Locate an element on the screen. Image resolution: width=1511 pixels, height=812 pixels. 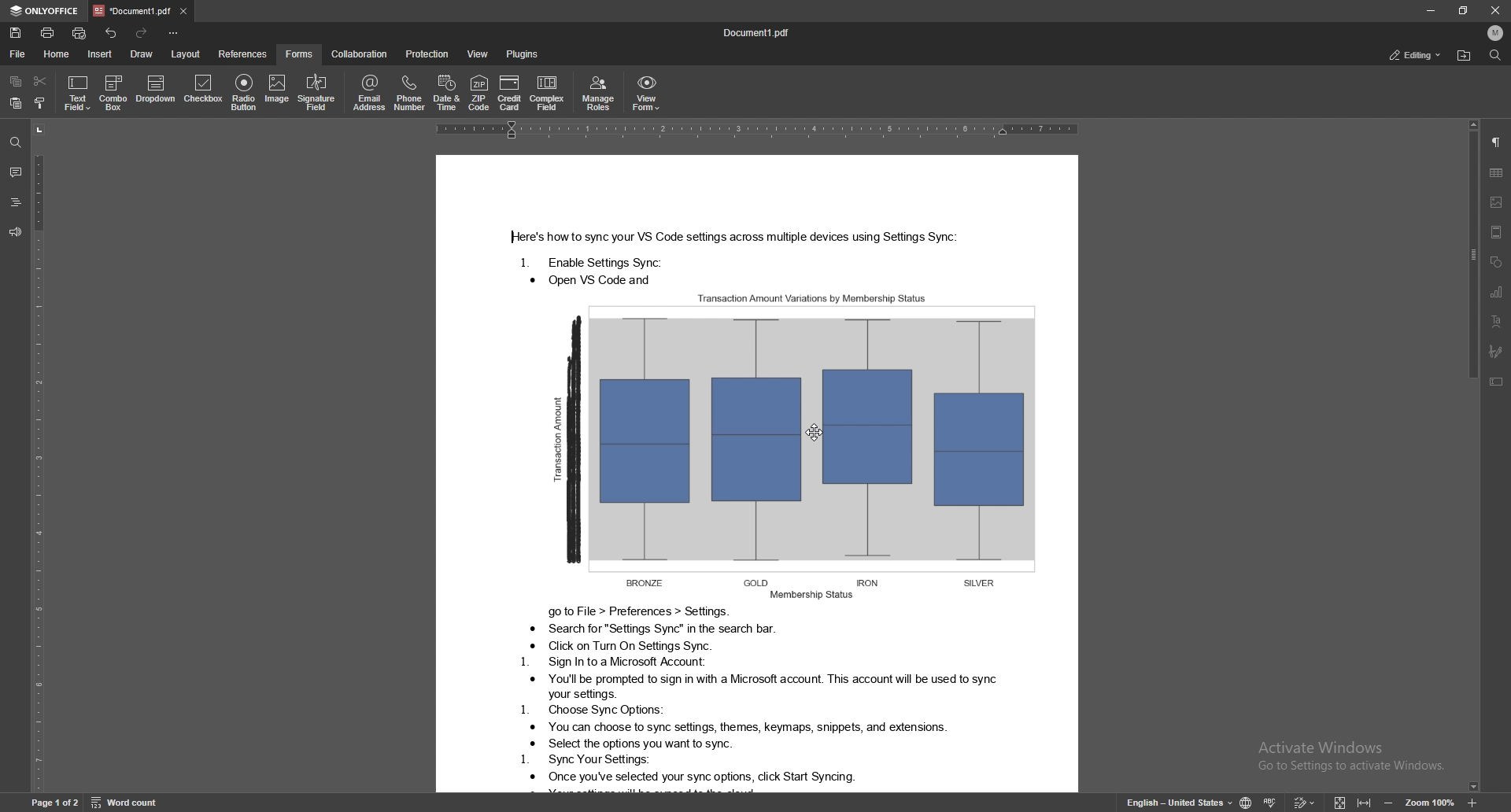
signature field is located at coordinates (1495, 351).